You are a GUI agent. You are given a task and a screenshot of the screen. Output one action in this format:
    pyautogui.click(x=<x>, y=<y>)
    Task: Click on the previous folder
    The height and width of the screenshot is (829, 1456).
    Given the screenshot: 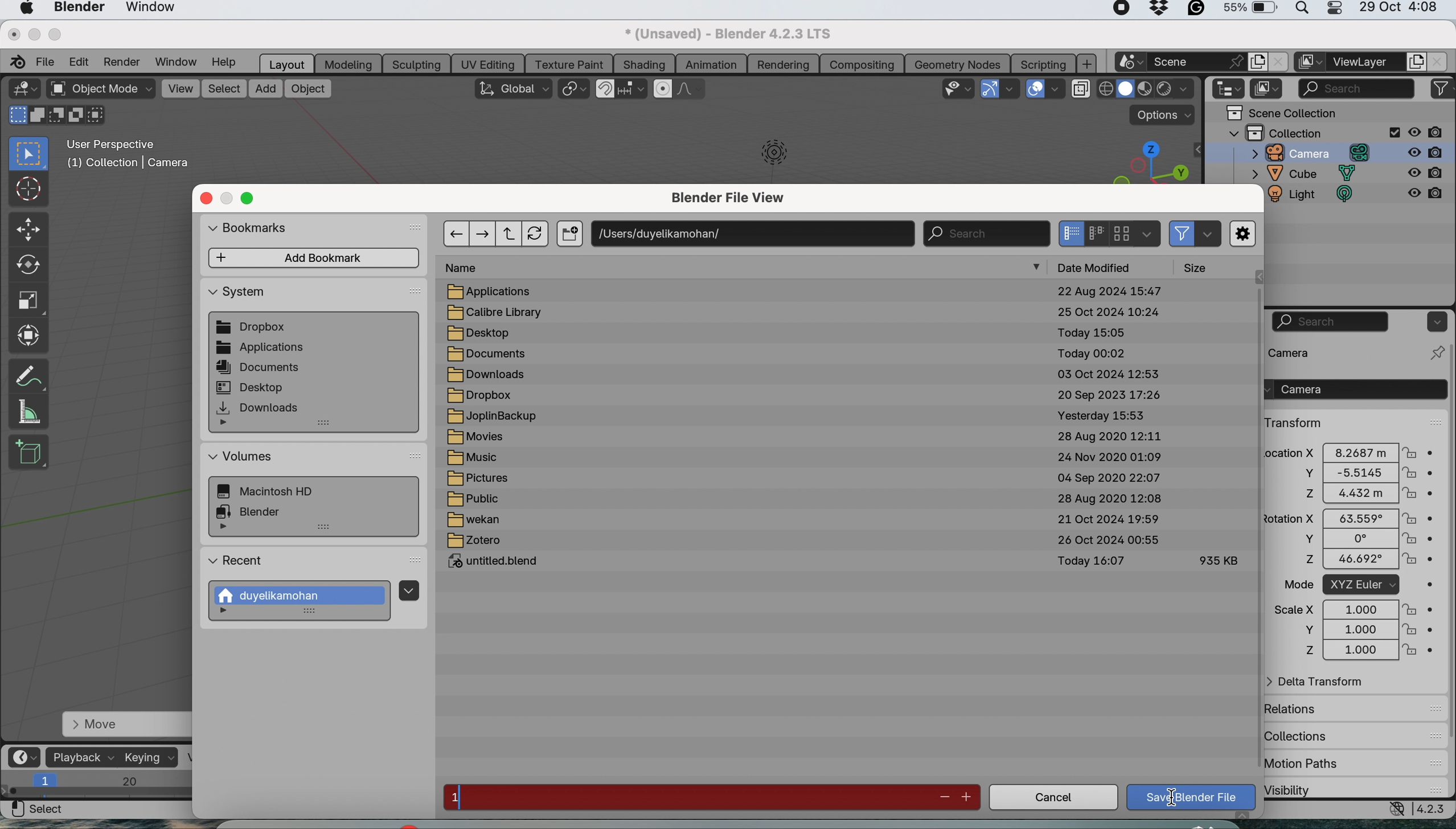 What is the action you would take?
    pyautogui.click(x=456, y=233)
    